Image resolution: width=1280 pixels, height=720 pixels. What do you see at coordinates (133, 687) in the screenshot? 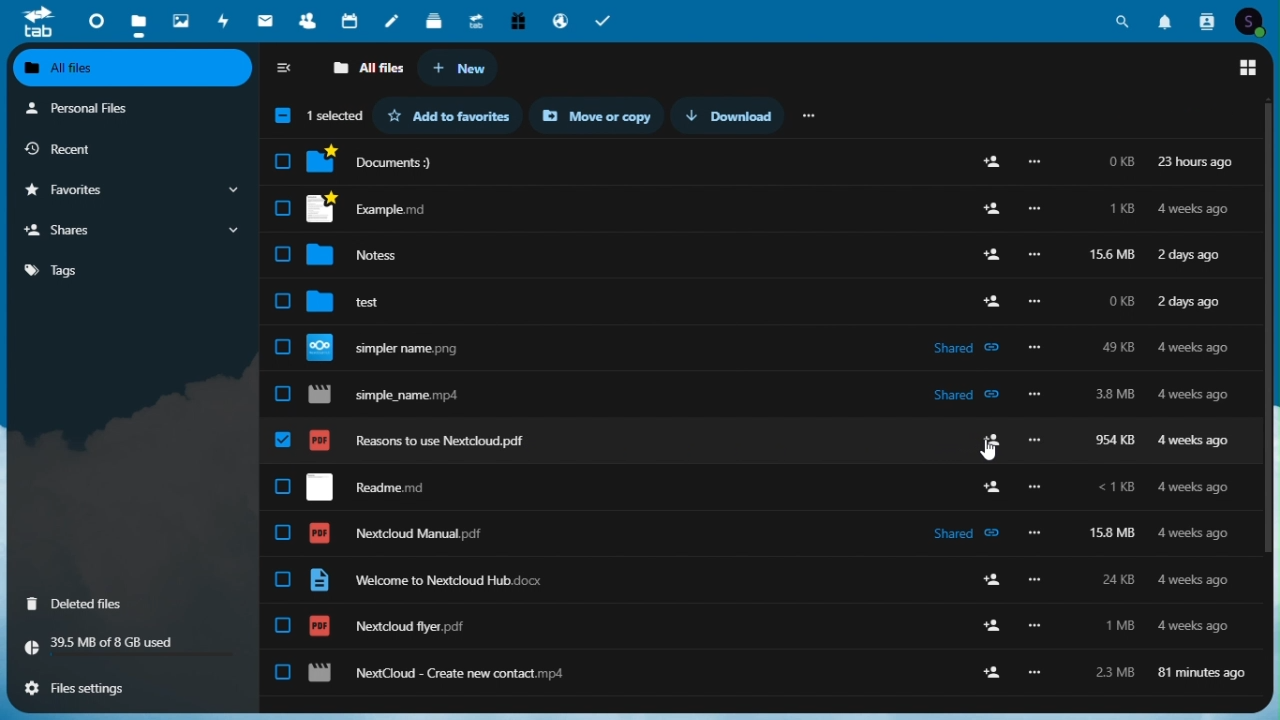
I see `files settings` at bounding box center [133, 687].